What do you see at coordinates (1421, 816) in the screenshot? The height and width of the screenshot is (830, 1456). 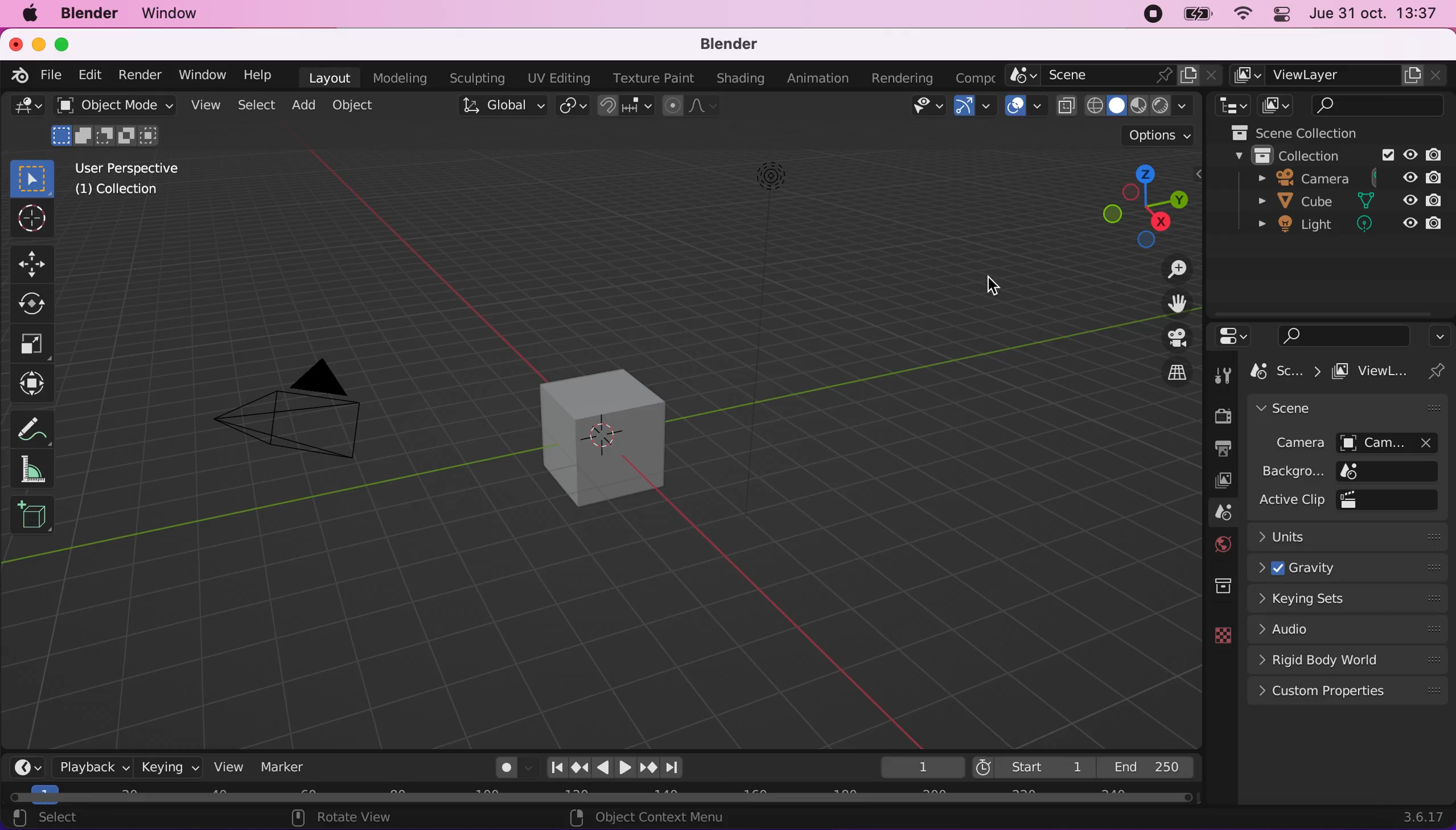 I see `3.6.17` at bounding box center [1421, 816].